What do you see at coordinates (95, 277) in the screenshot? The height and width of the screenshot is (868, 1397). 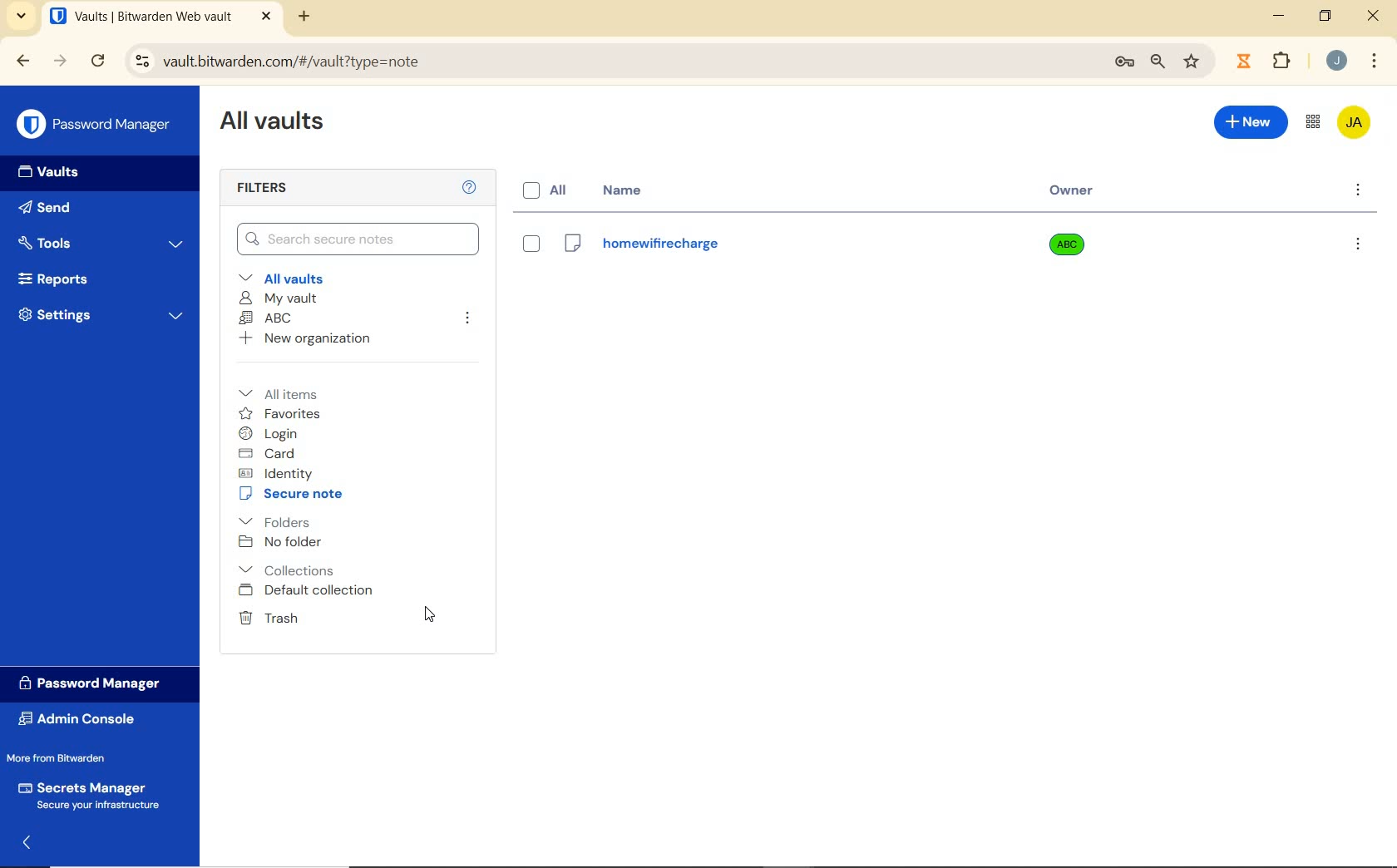 I see `Reports` at bounding box center [95, 277].